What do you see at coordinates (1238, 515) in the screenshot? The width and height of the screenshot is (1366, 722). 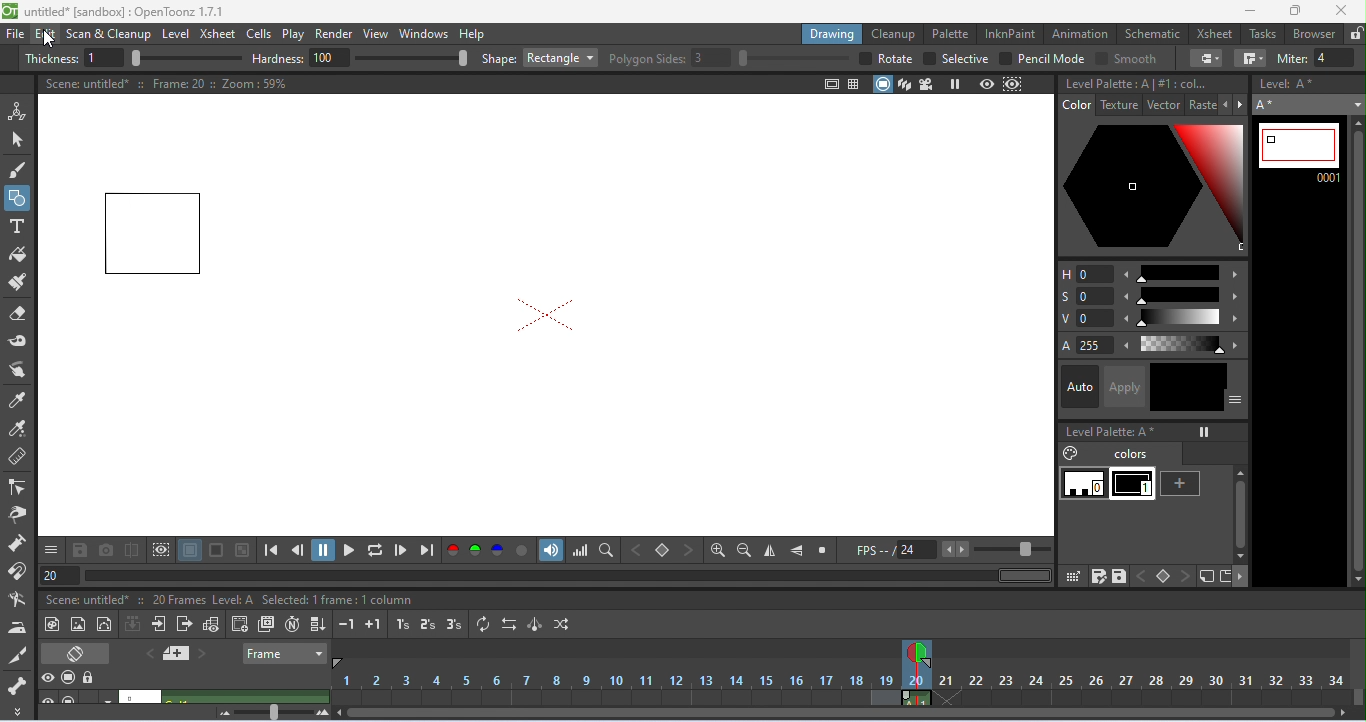 I see `vertical scroll` at bounding box center [1238, 515].